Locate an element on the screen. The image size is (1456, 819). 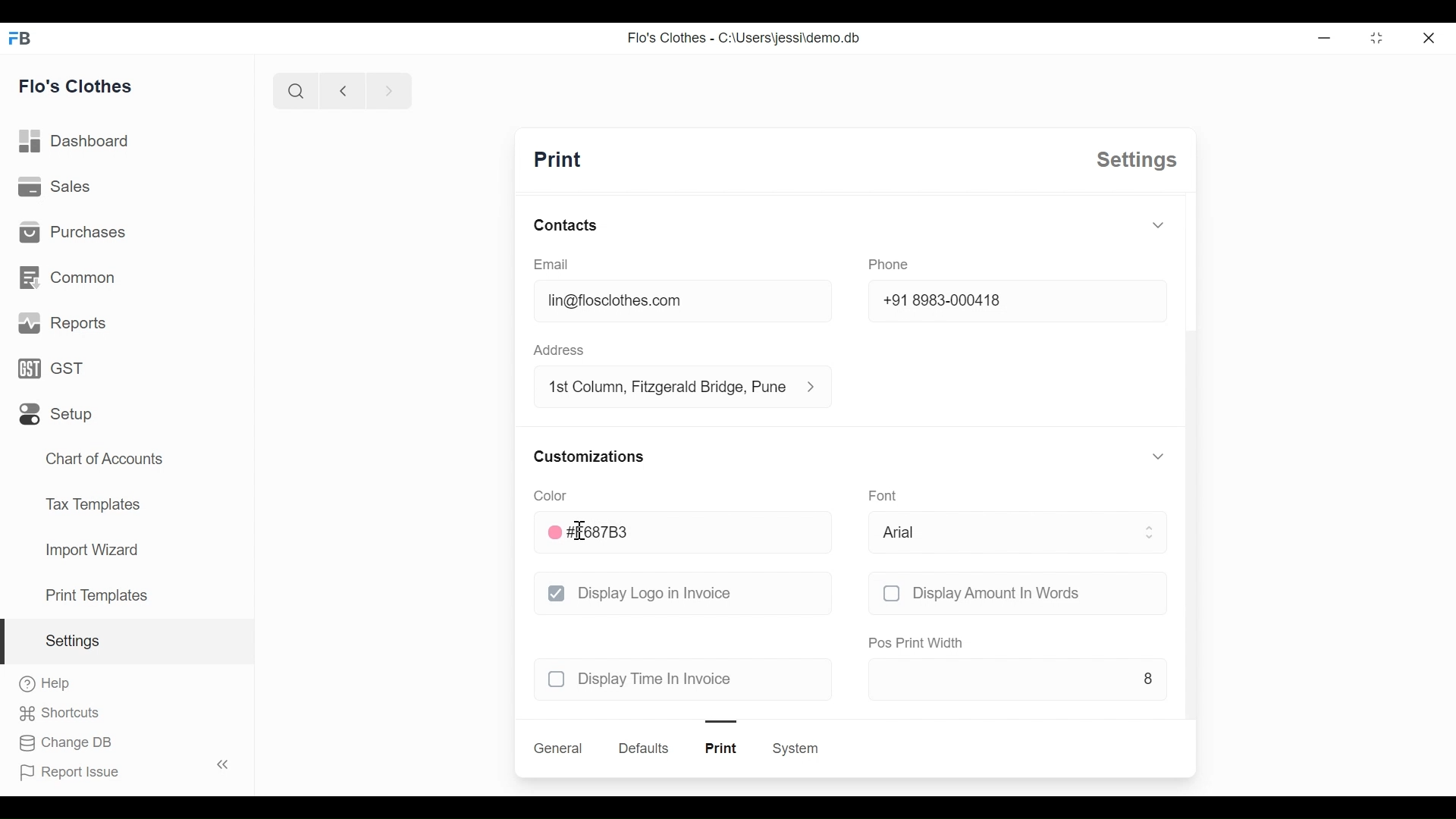
print templates is located at coordinates (97, 595).